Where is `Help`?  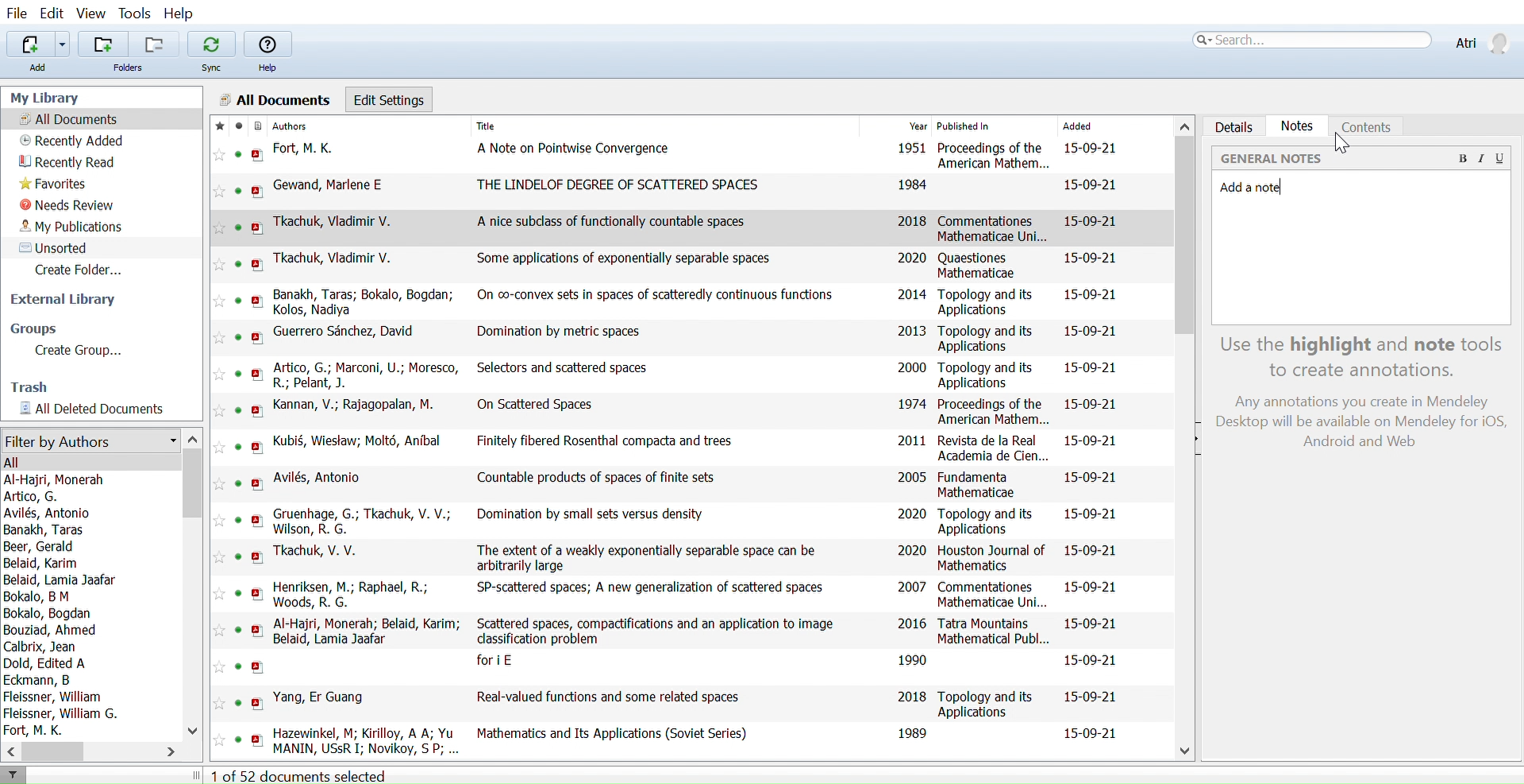
Help is located at coordinates (269, 68).